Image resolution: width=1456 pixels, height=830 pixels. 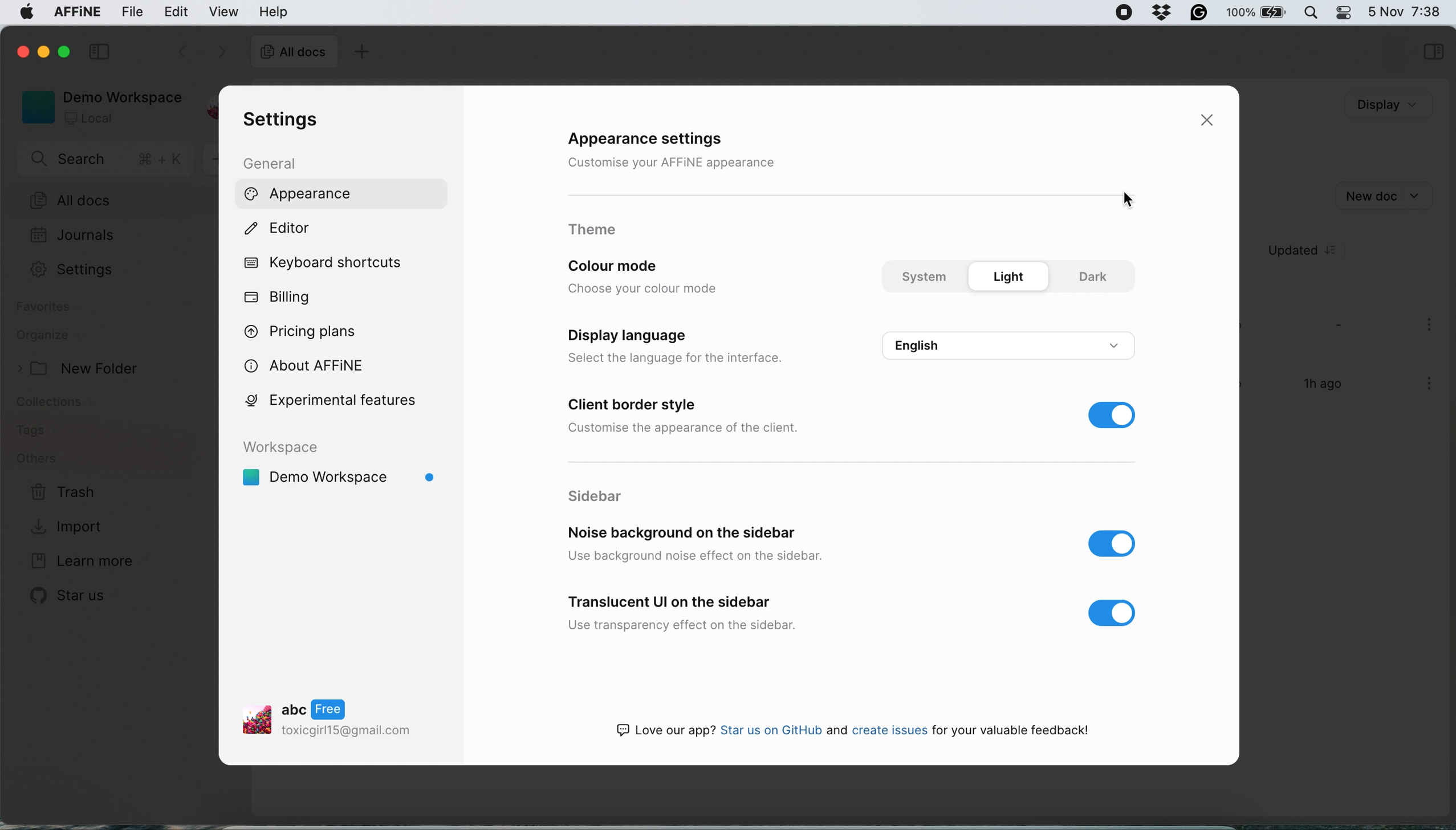 What do you see at coordinates (595, 231) in the screenshot?
I see `theme` at bounding box center [595, 231].